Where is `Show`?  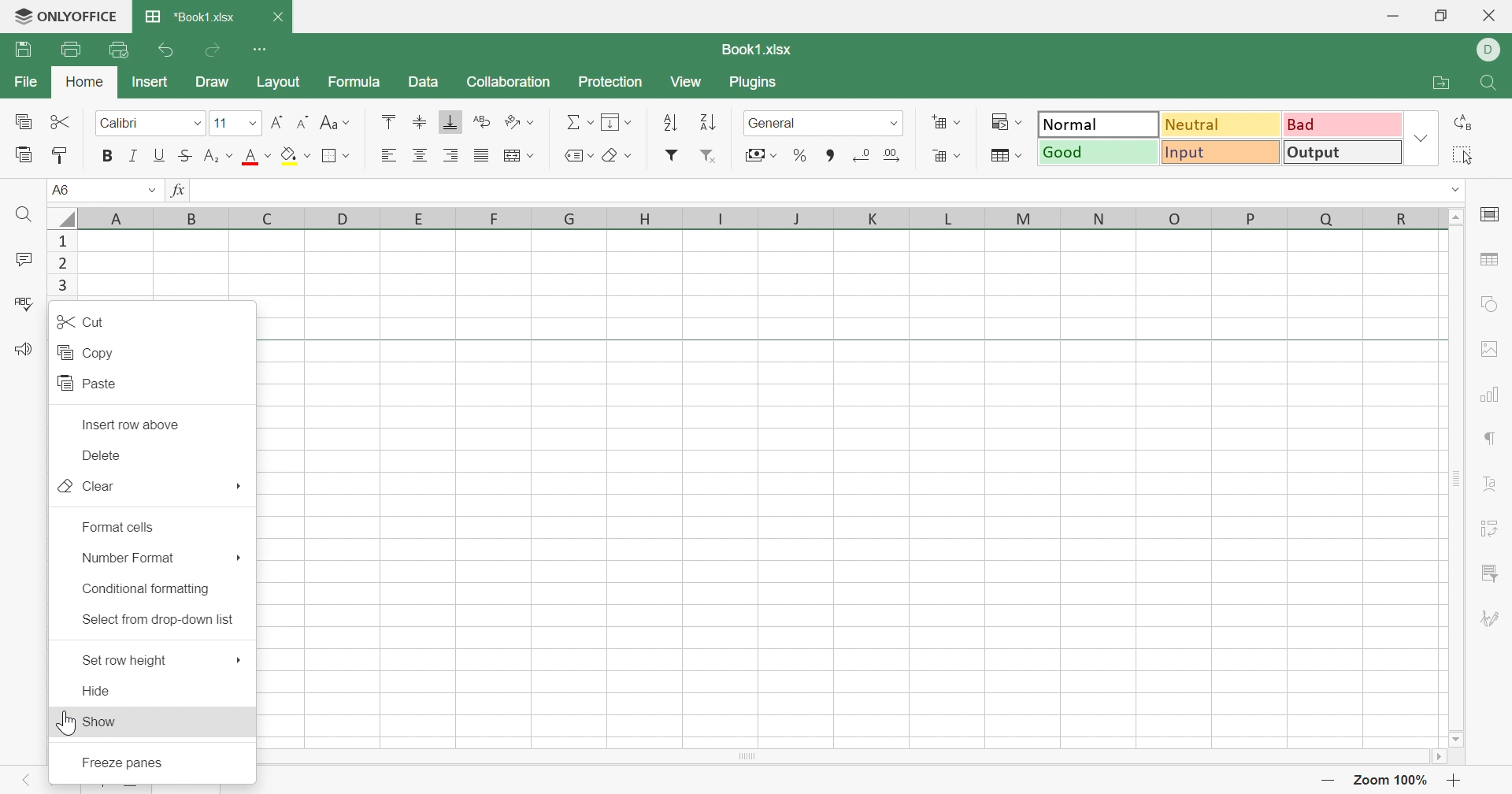 Show is located at coordinates (101, 722).